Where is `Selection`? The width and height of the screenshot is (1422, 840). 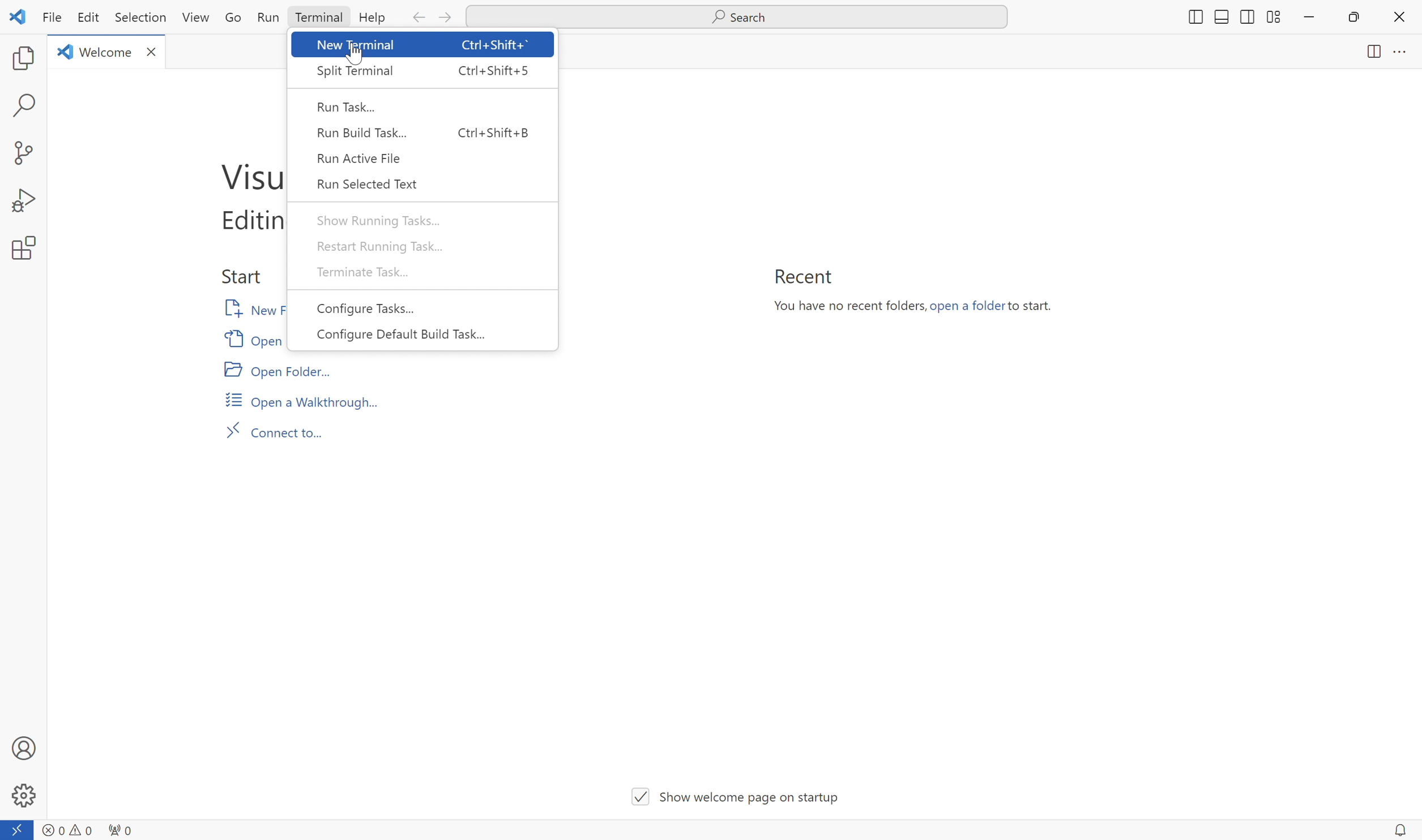 Selection is located at coordinates (138, 18).